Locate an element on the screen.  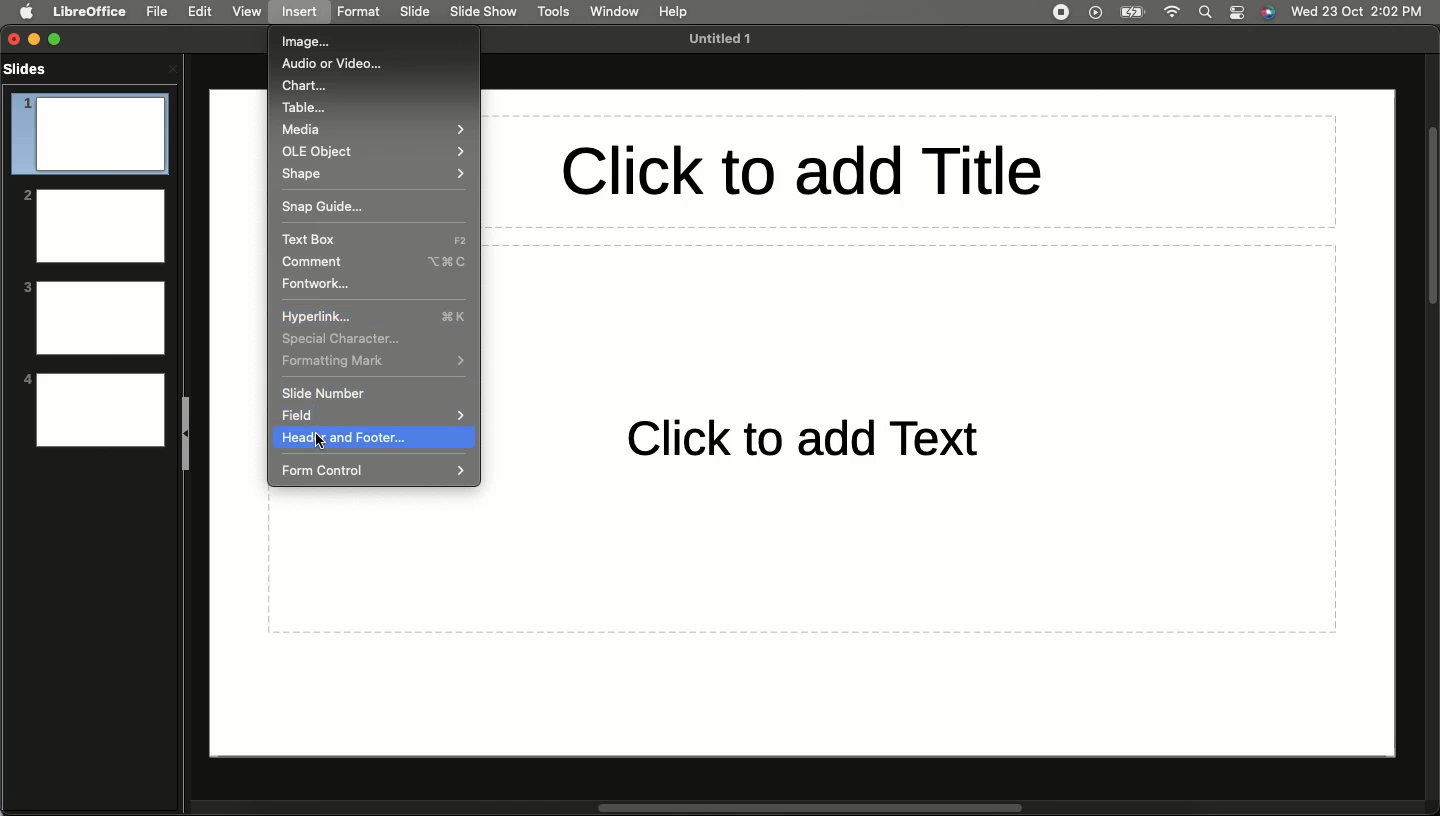
Header and footer is located at coordinates (372, 438).